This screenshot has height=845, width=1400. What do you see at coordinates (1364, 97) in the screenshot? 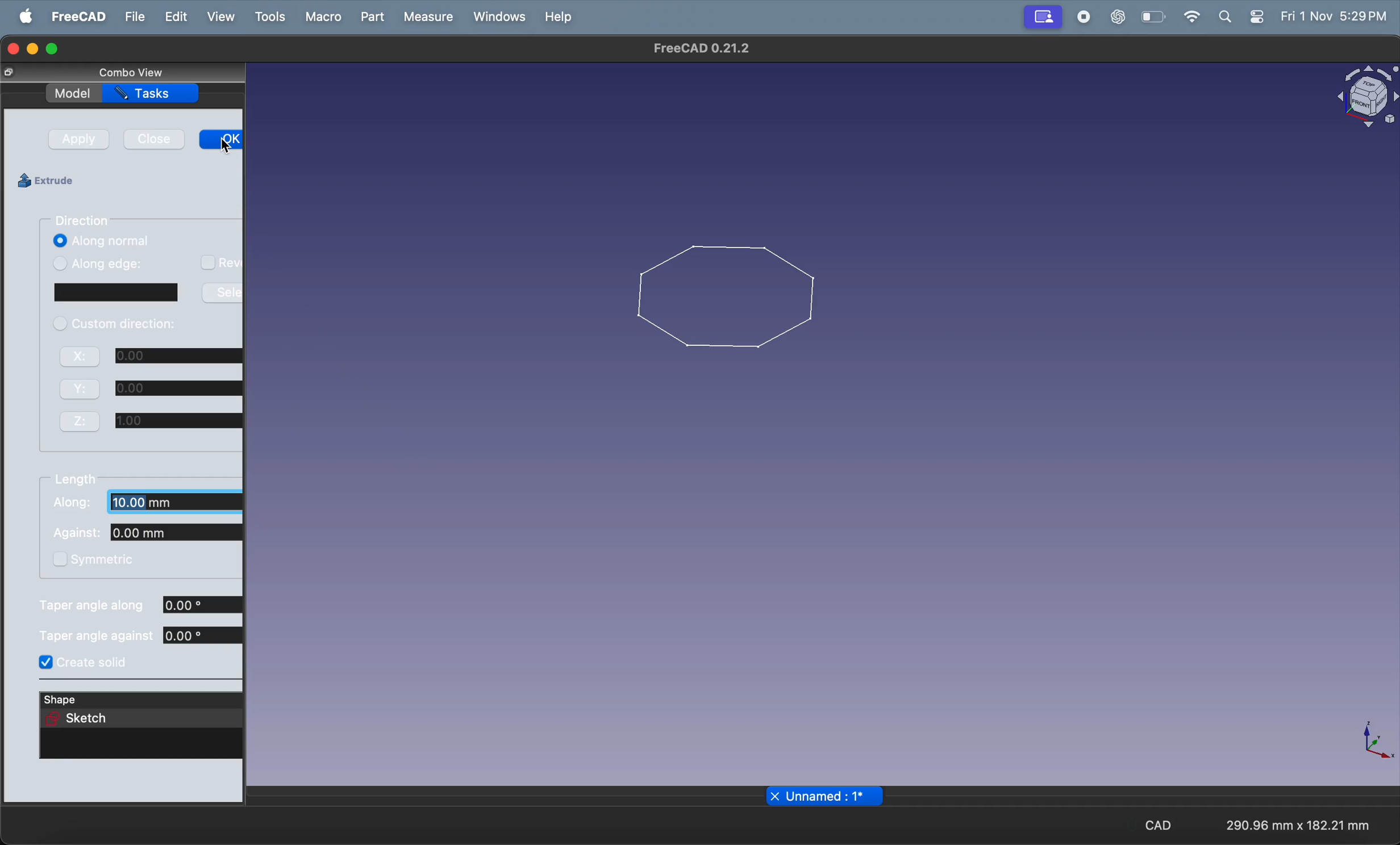
I see `vlock view` at bounding box center [1364, 97].